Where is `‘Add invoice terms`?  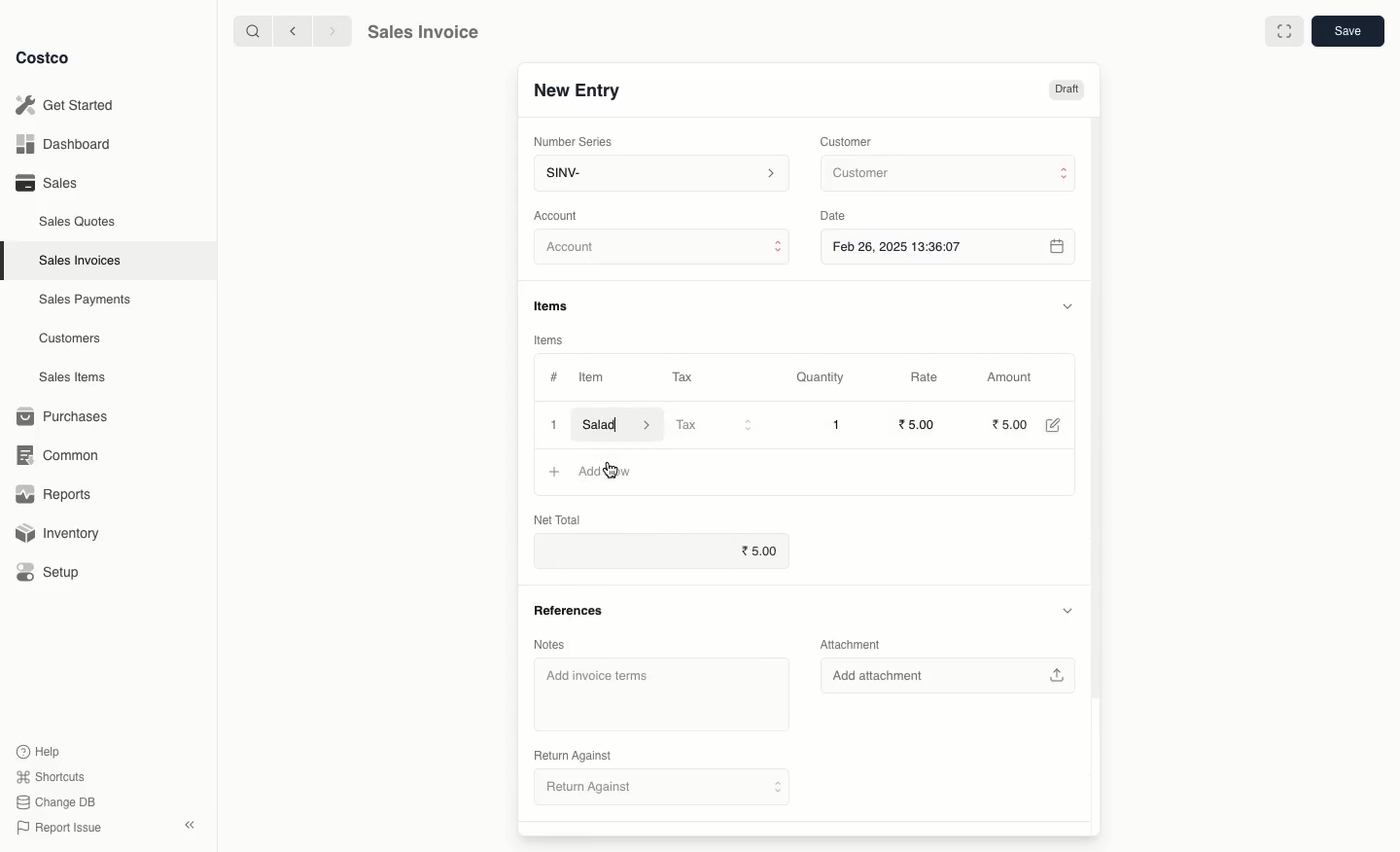 ‘Add invoice terms is located at coordinates (657, 692).